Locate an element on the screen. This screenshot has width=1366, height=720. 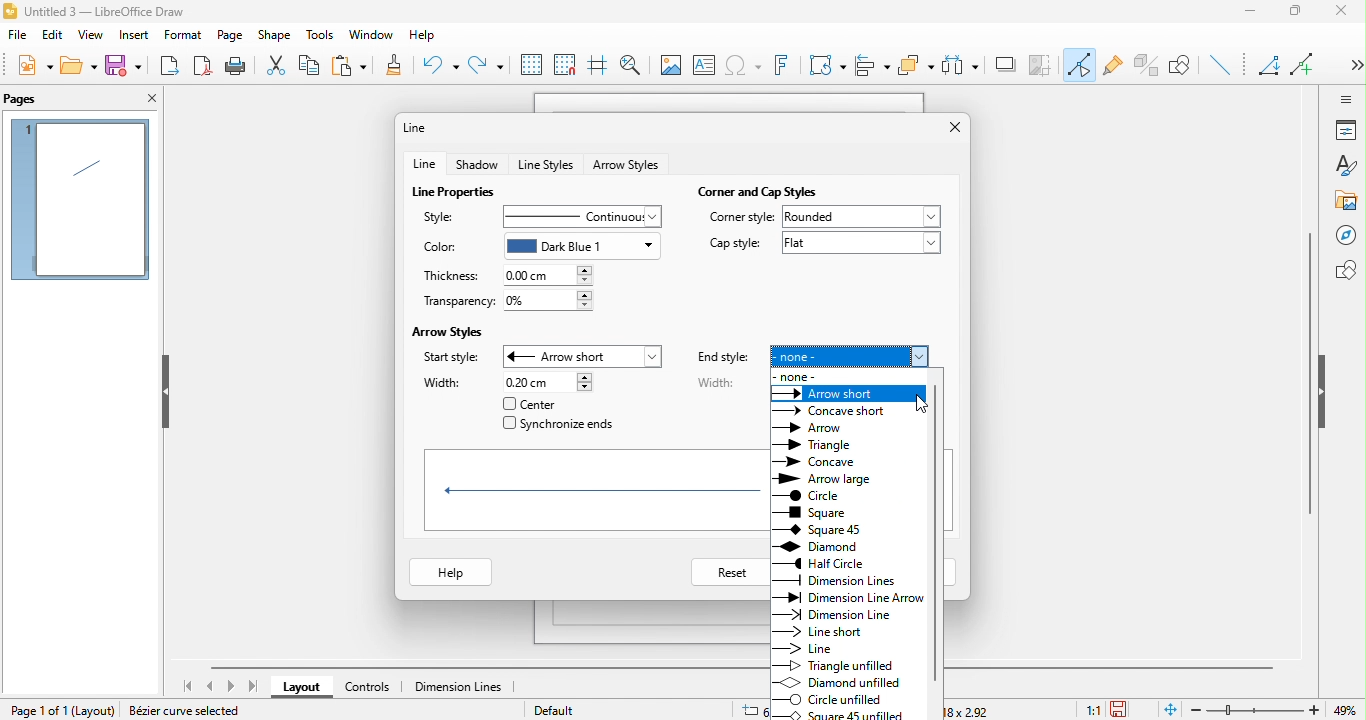
save is located at coordinates (125, 68).